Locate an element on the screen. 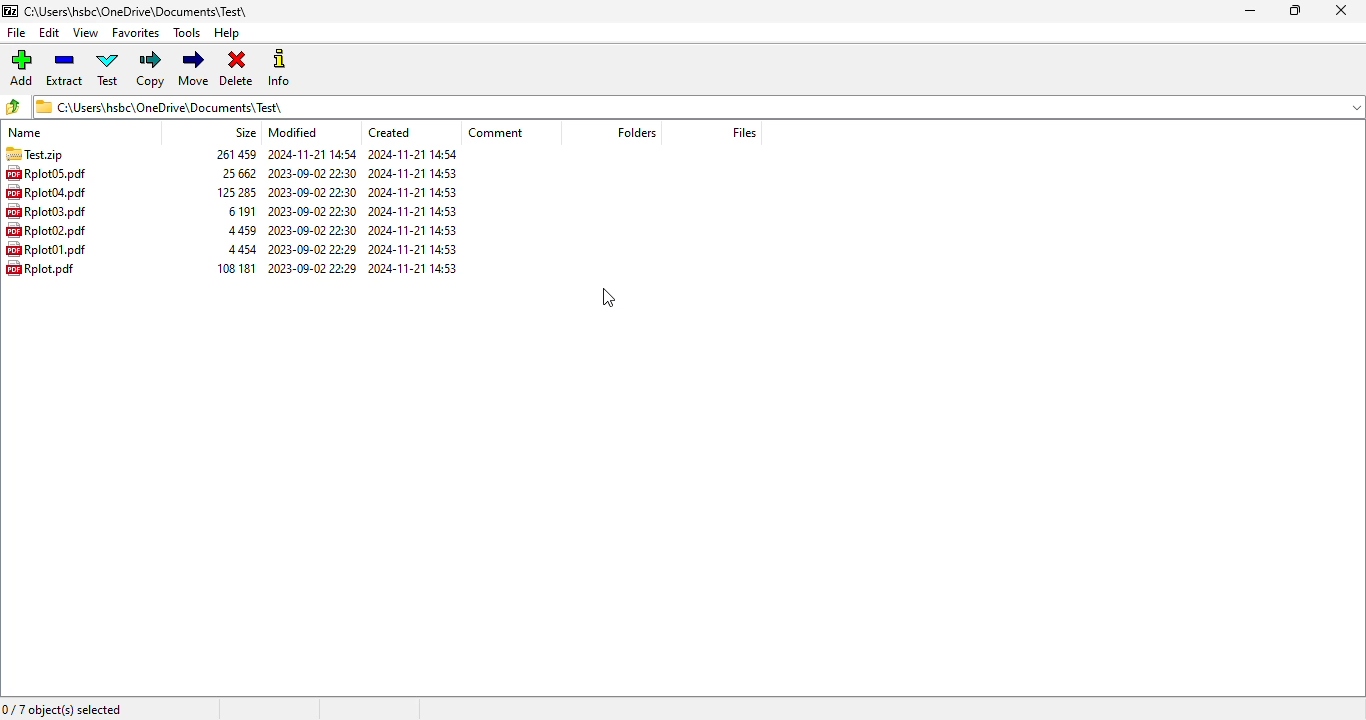 Image resolution: width=1366 pixels, height=720 pixels. view is located at coordinates (86, 32).